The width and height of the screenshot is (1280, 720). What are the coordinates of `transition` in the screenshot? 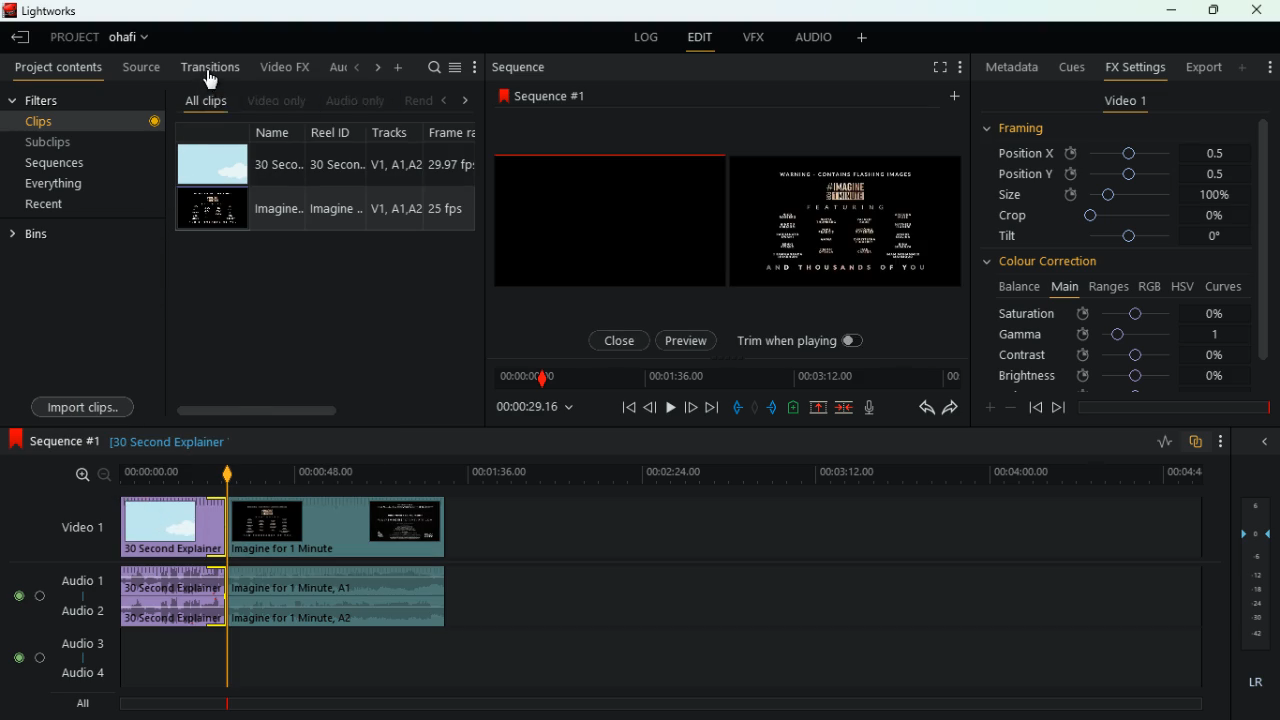 It's located at (211, 69).